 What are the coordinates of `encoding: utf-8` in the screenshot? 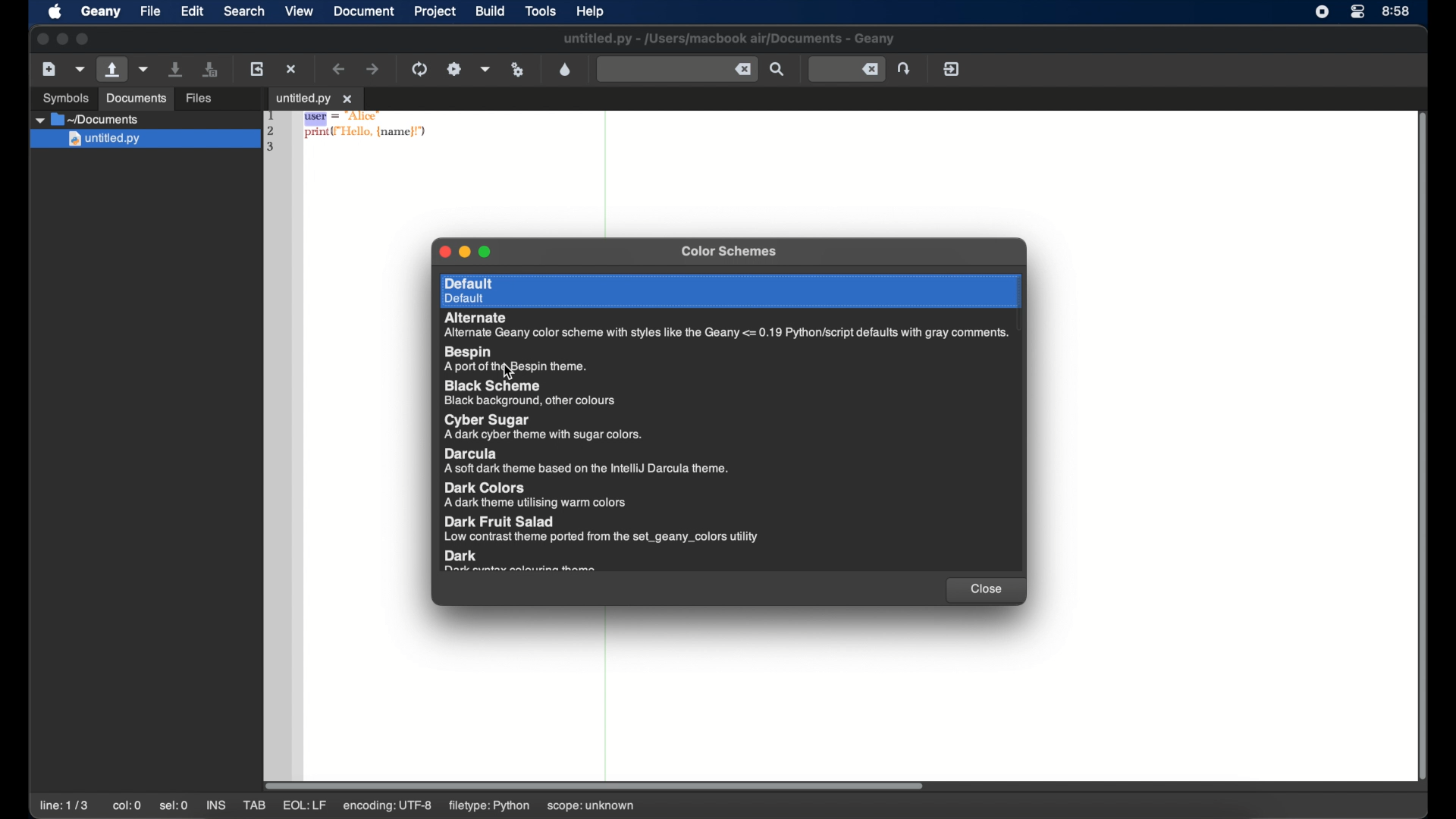 It's located at (387, 806).